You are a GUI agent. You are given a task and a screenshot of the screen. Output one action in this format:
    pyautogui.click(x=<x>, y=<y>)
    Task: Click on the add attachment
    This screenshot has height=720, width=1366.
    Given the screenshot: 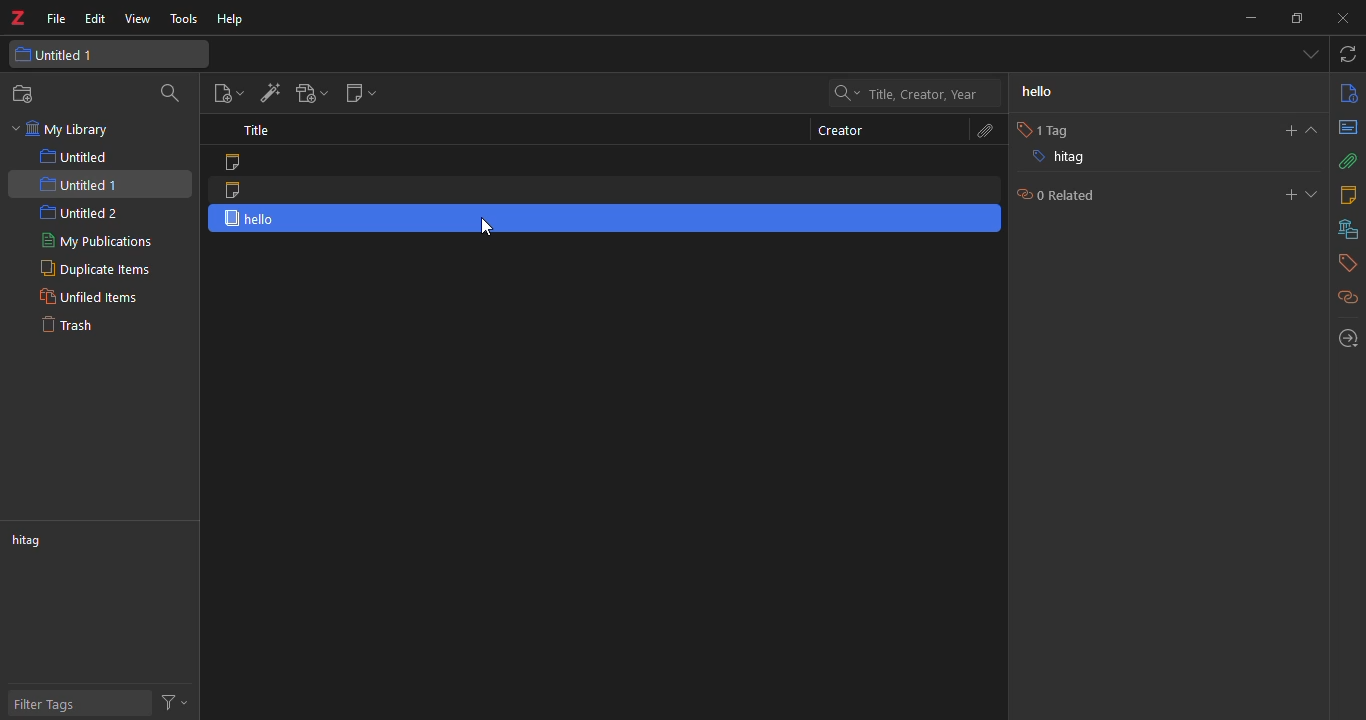 What is the action you would take?
    pyautogui.click(x=306, y=92)
    